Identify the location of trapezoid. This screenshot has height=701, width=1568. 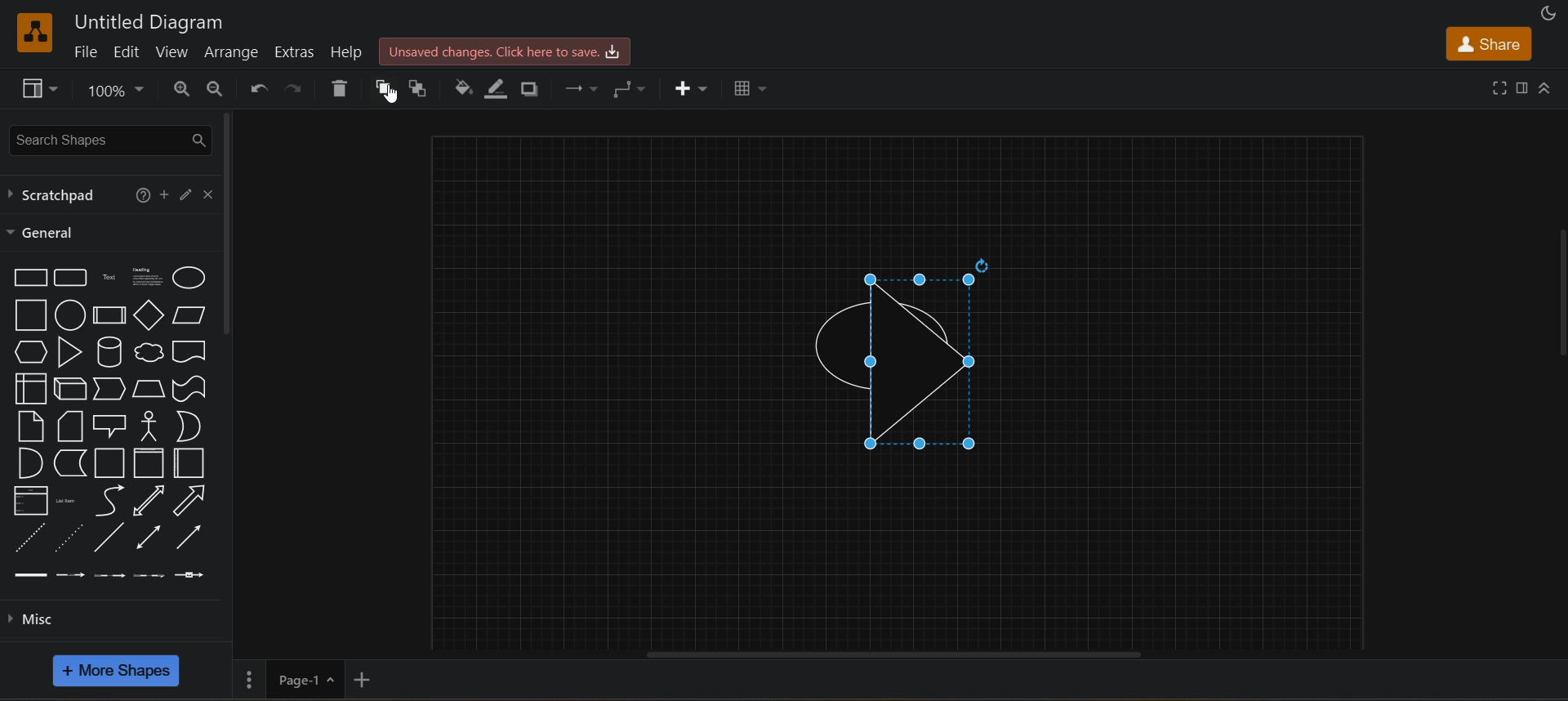
(149, 388).